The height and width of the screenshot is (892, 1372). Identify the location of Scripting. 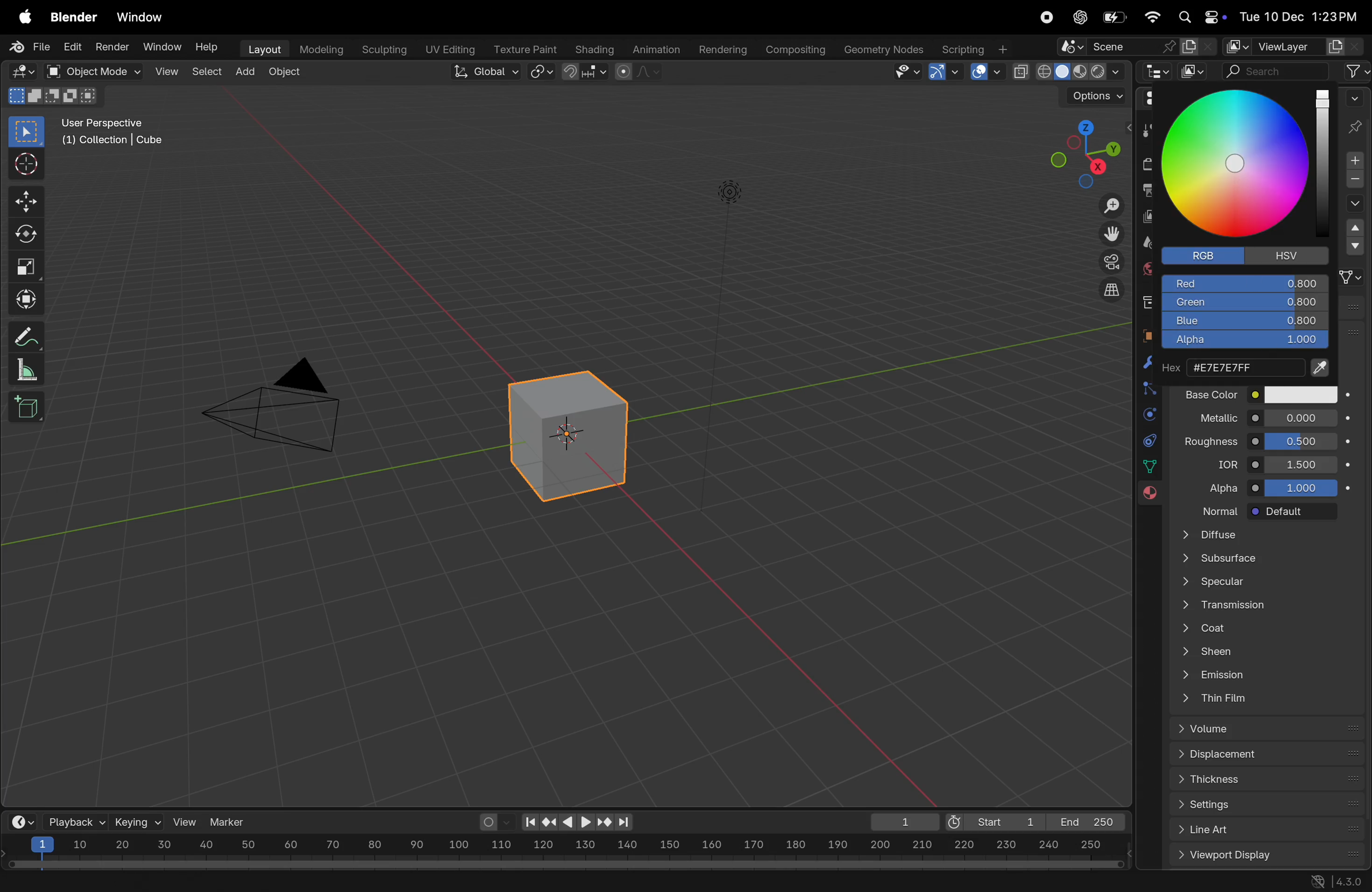
(974, 46).